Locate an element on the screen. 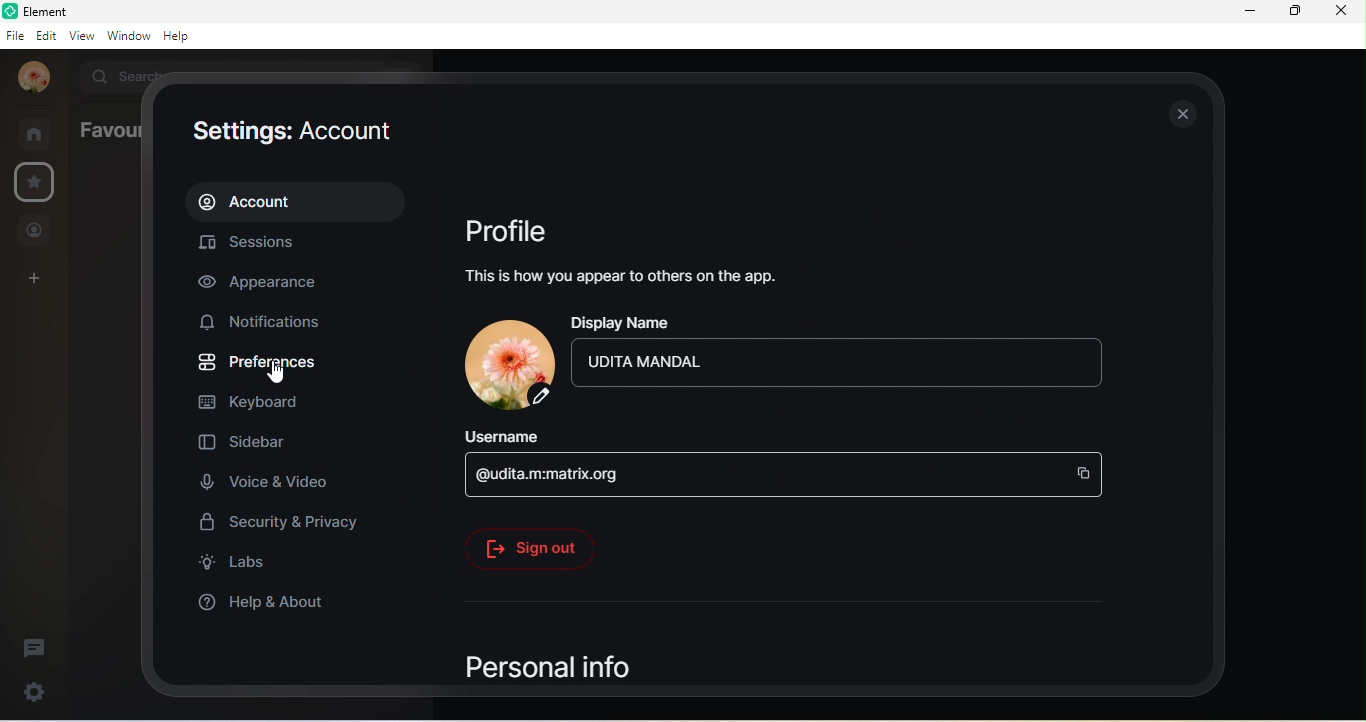 Image resolution: width=1366 pixels, height=722 pixels. sessions is located at coordinates (271, 241).